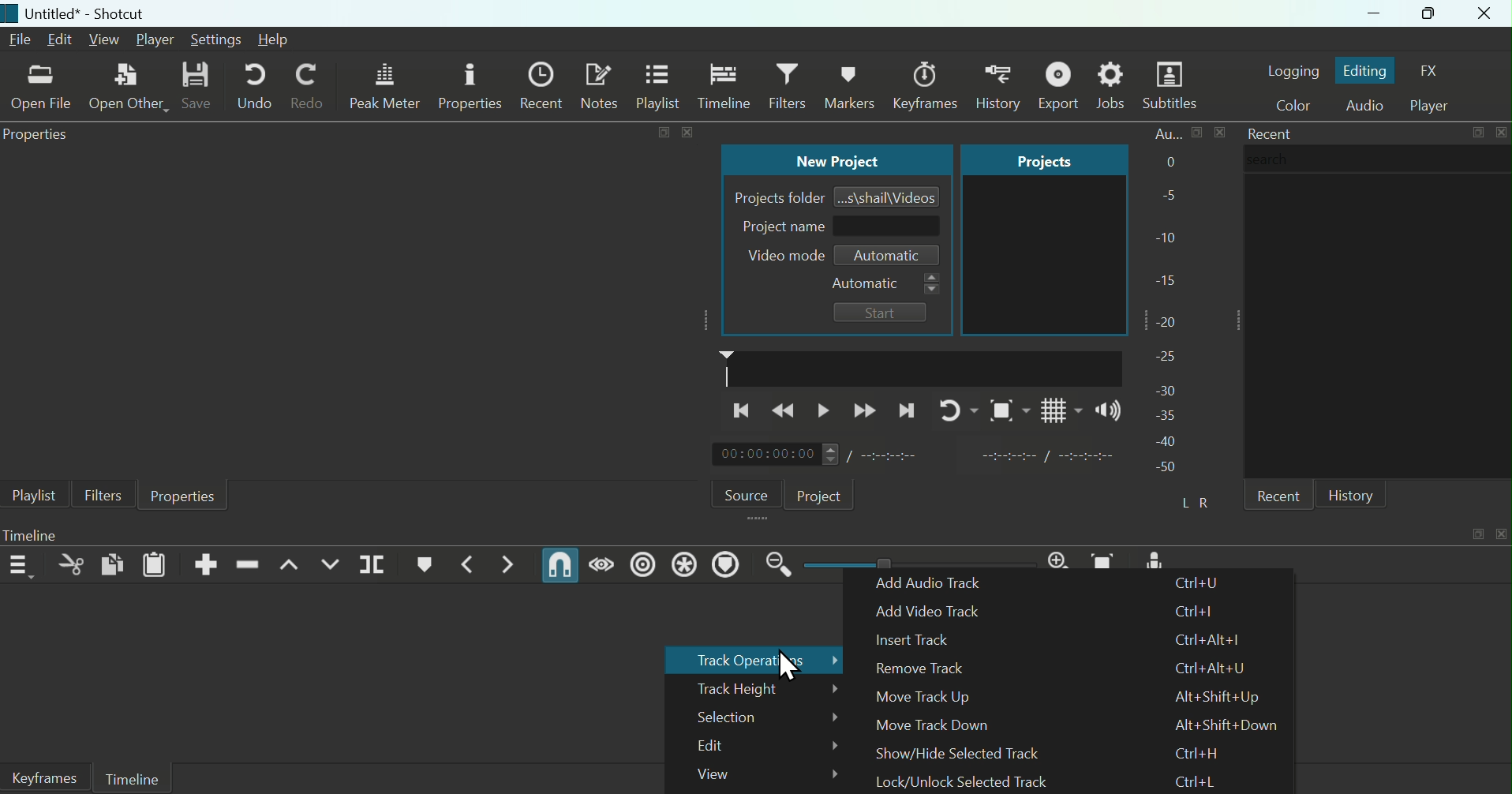 The height and width of the screenshot is (794, 1512). What do you see at coordinates (127, 87) in the screenshot?
I see `Open Other` at bounding box center [127, 87].